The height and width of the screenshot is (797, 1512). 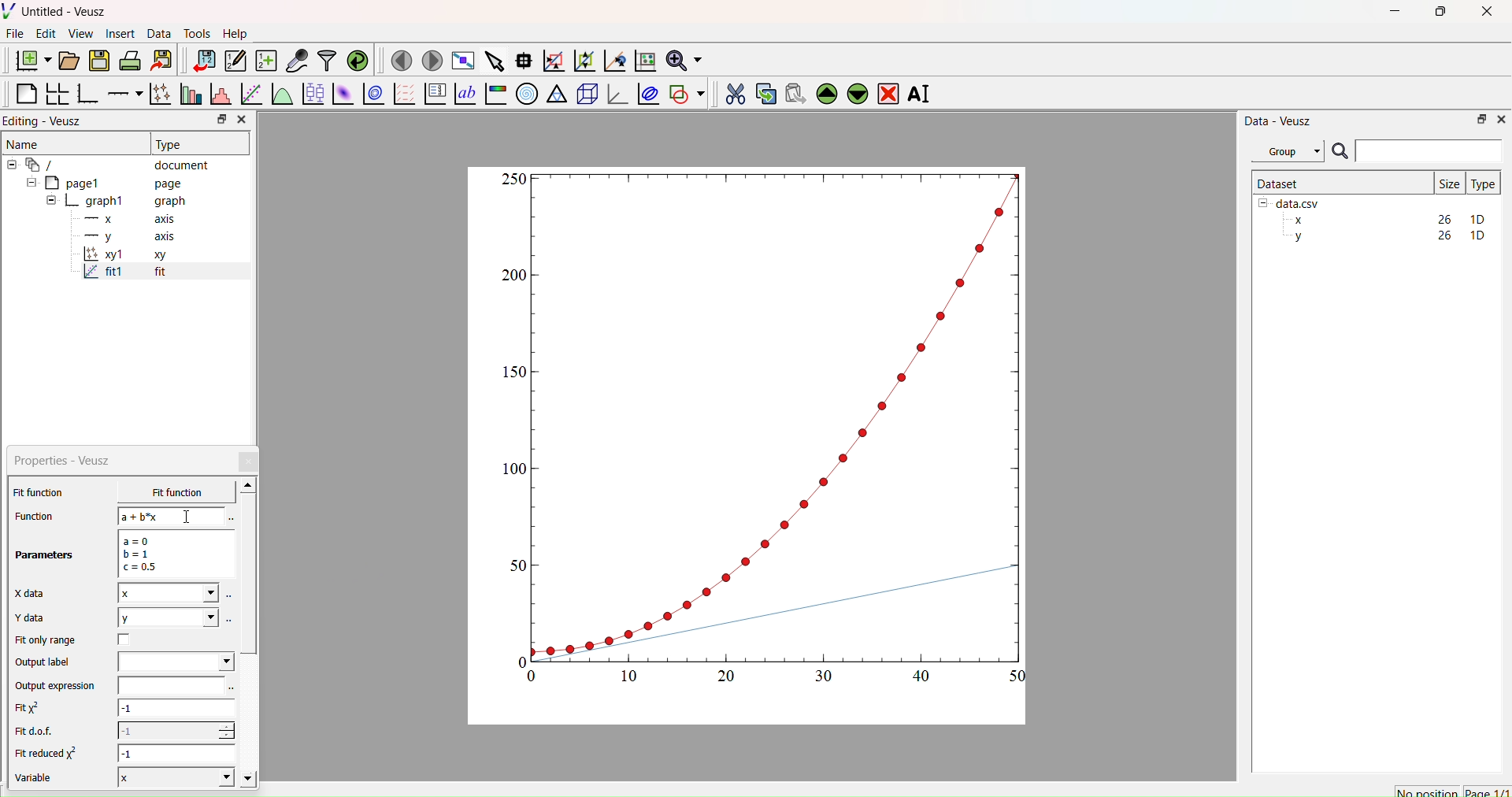 I want to click on Copy, so click(x=762, y=92).